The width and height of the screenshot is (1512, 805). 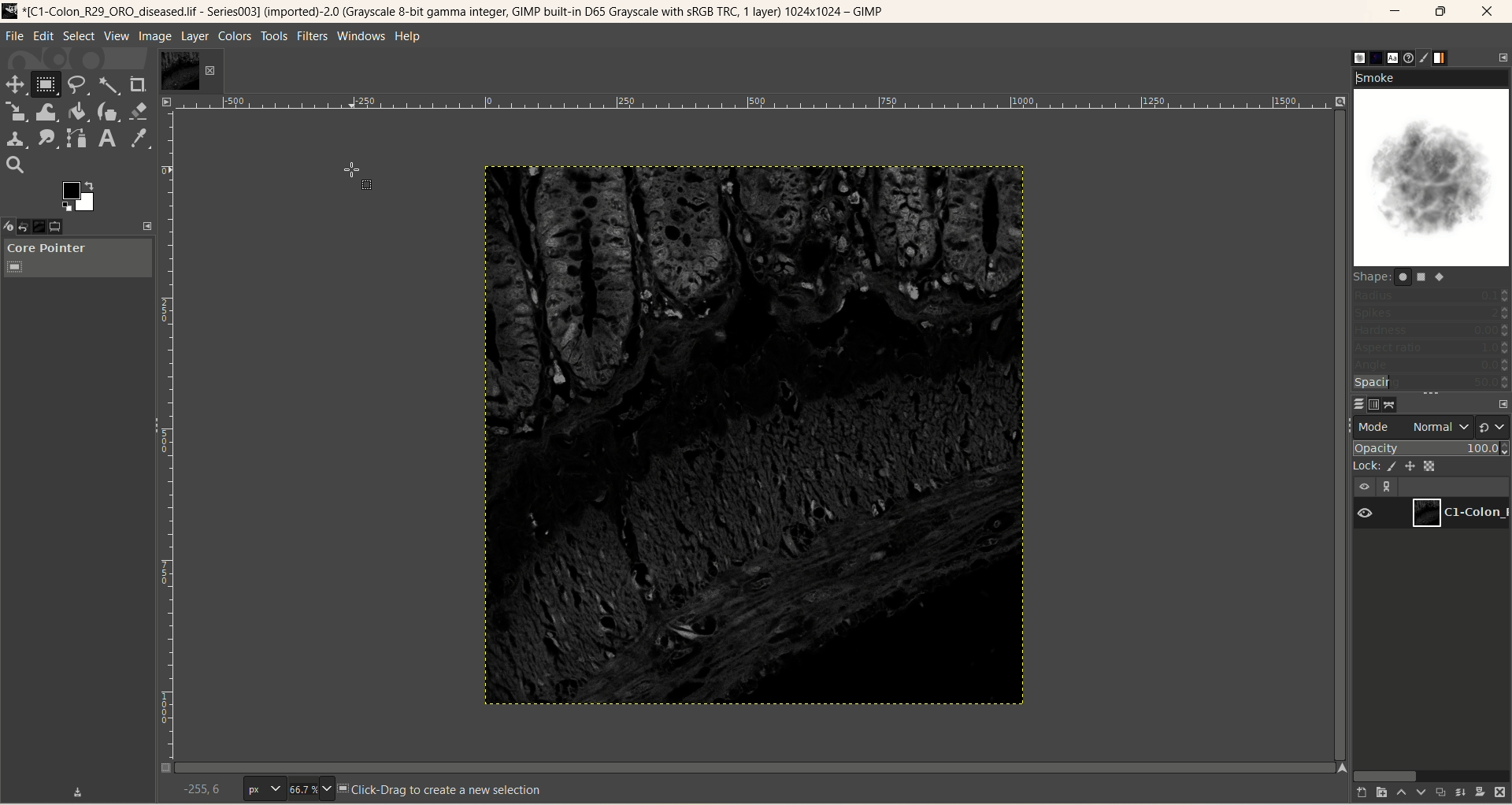 I want to click on layer, so click(x=194, y=37).